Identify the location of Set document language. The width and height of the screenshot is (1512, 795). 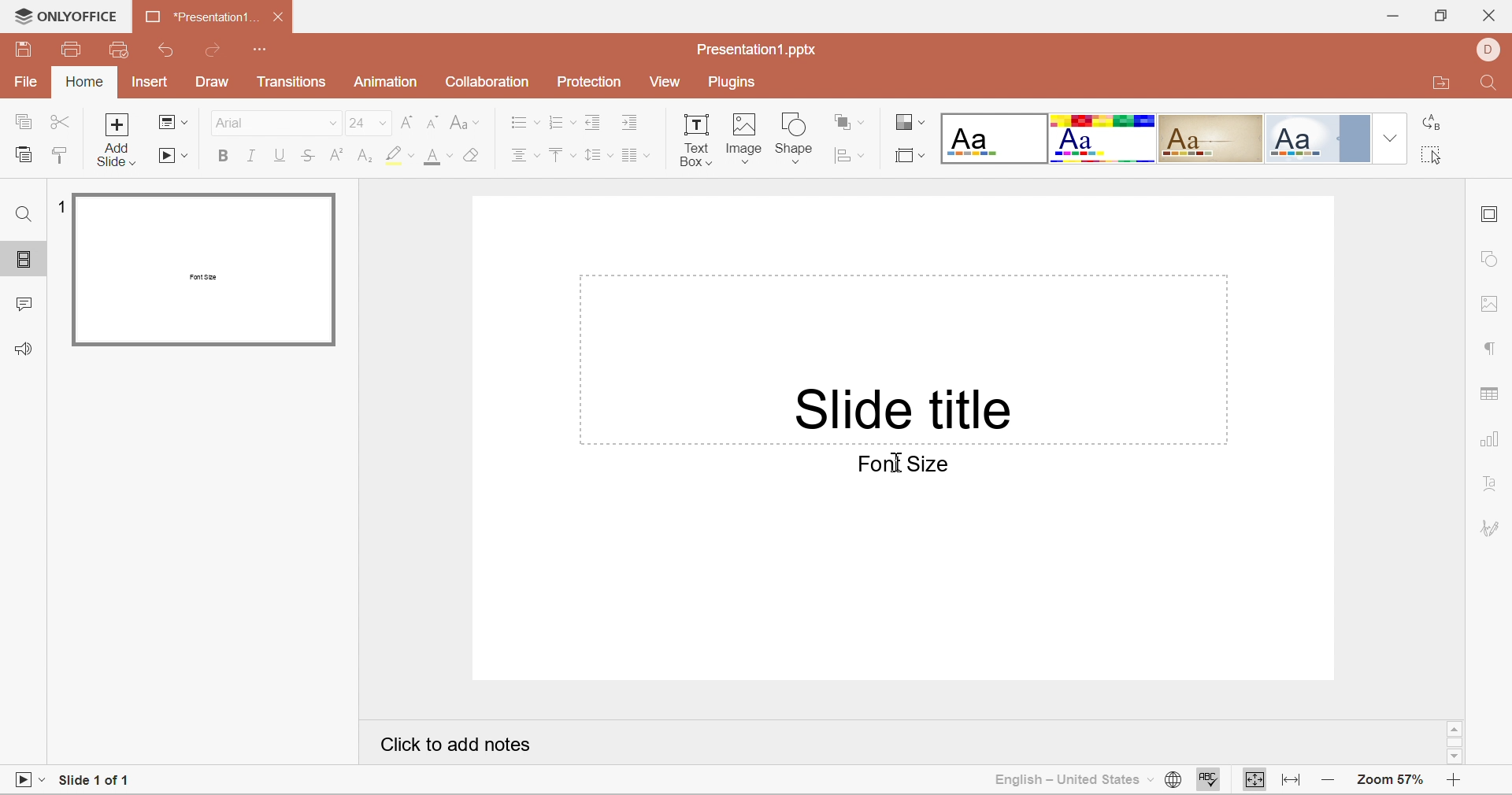
(1173, 780).